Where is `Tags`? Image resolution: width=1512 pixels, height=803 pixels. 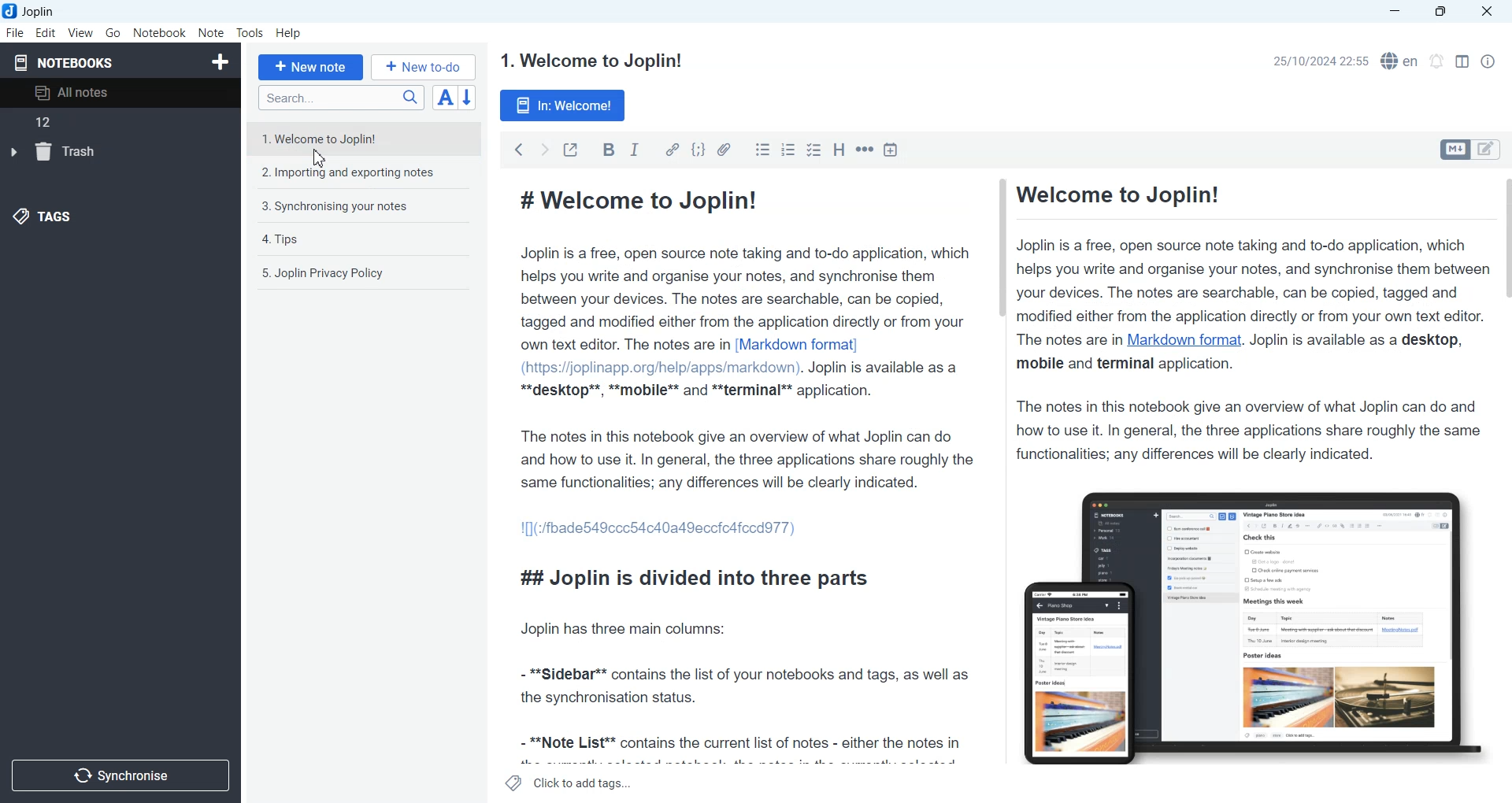 Tags is located at coordinates (41, 215).